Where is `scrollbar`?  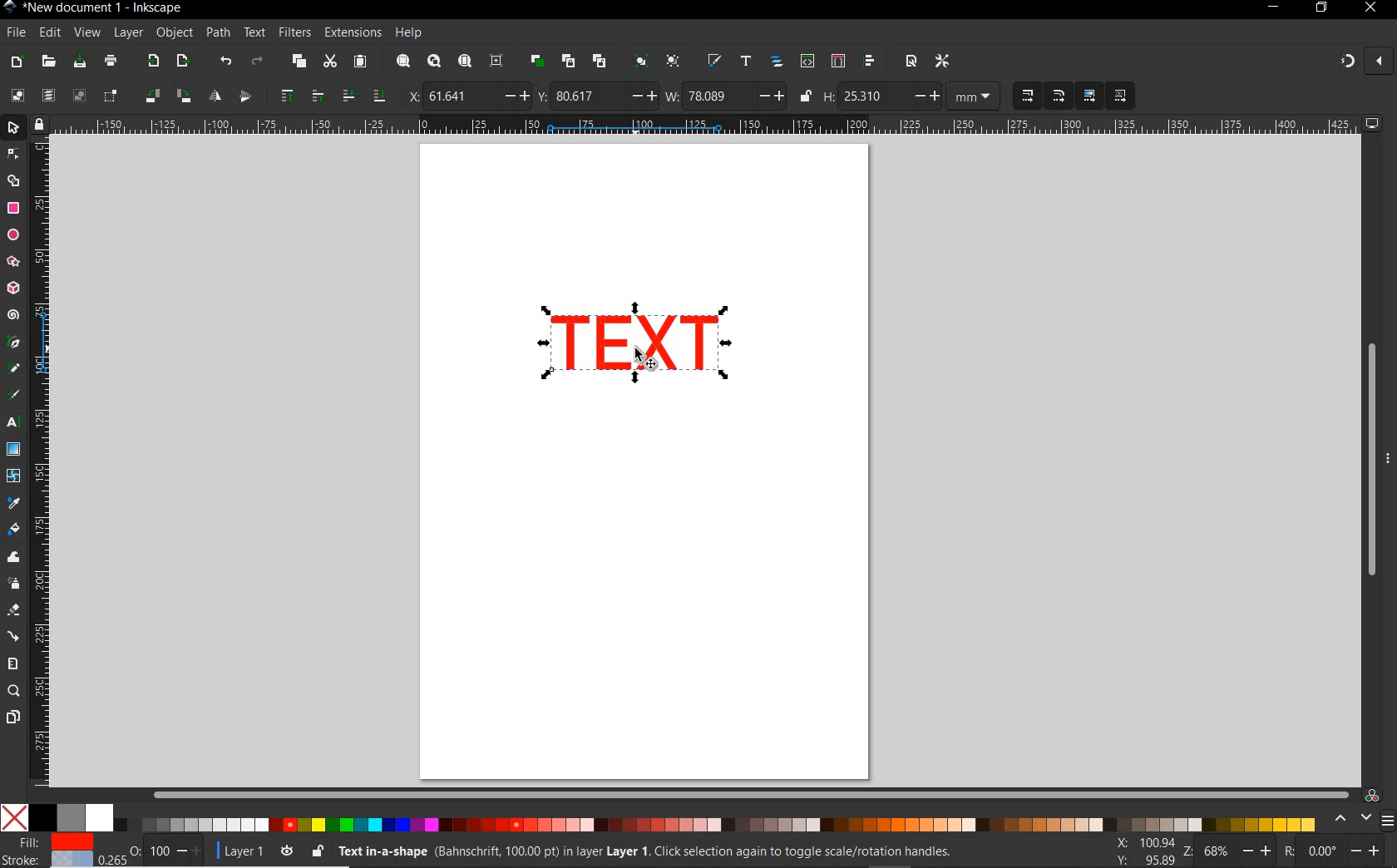
scrollbar is located at coordinates (751, 794).